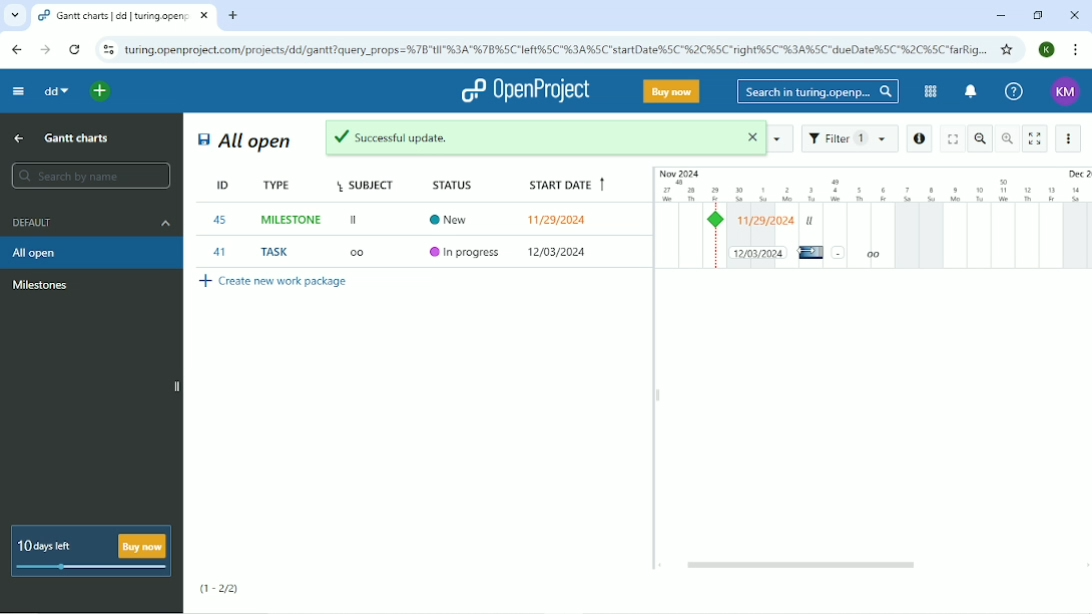  What do you see at coordinates (79, 137) in the screenshot?
I see `Gantt charts` at bounding box center [79, 137].